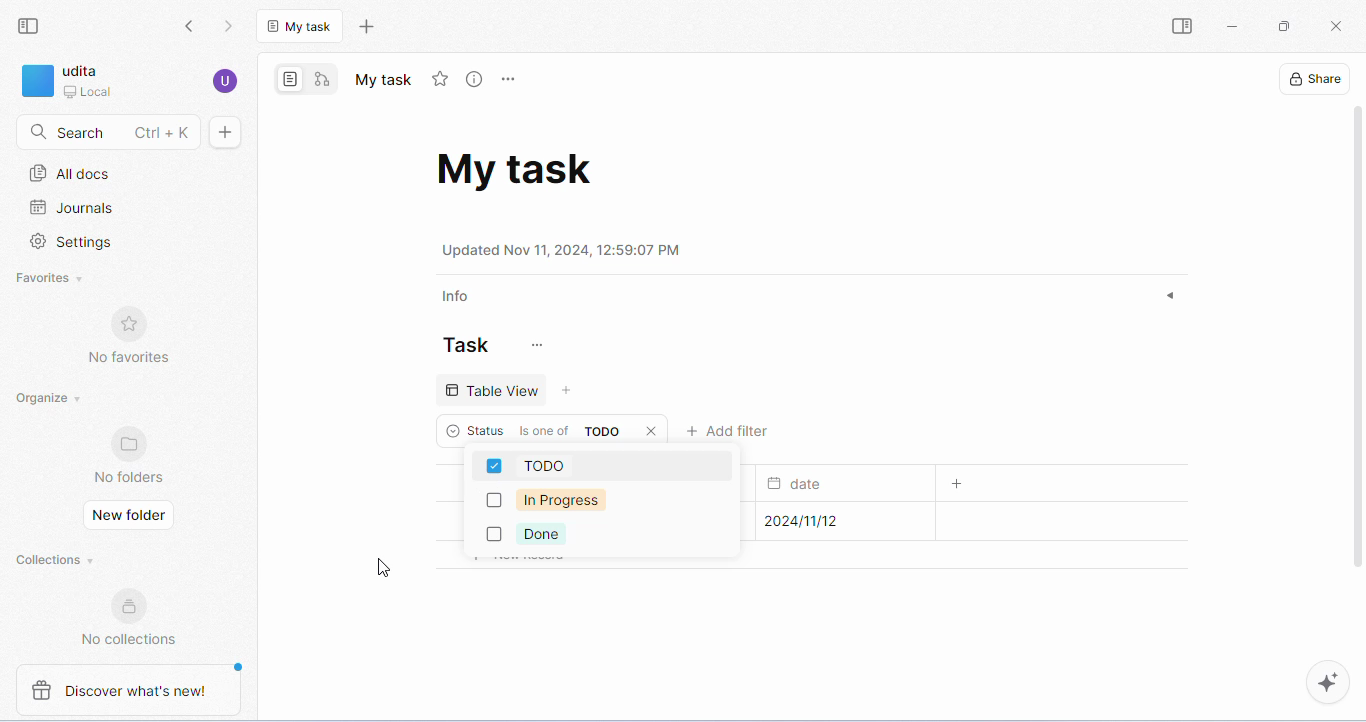 The image size is (1366, 722). What do you see at coordinates (960, 486) in the screenshot?
I see `add column` at bounding box center [960, 486].